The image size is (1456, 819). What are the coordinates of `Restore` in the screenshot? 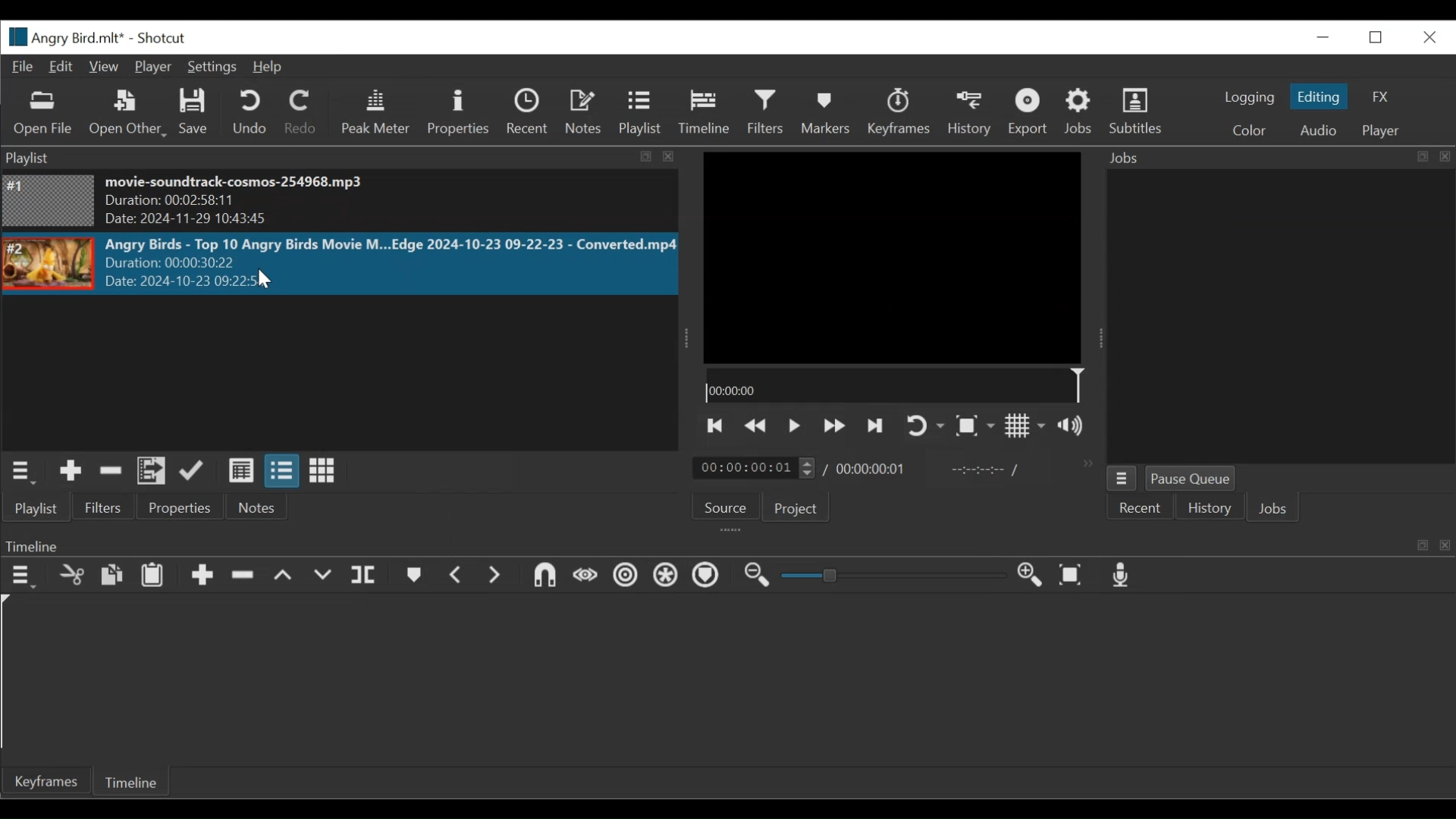 It's located at (1378, 36).